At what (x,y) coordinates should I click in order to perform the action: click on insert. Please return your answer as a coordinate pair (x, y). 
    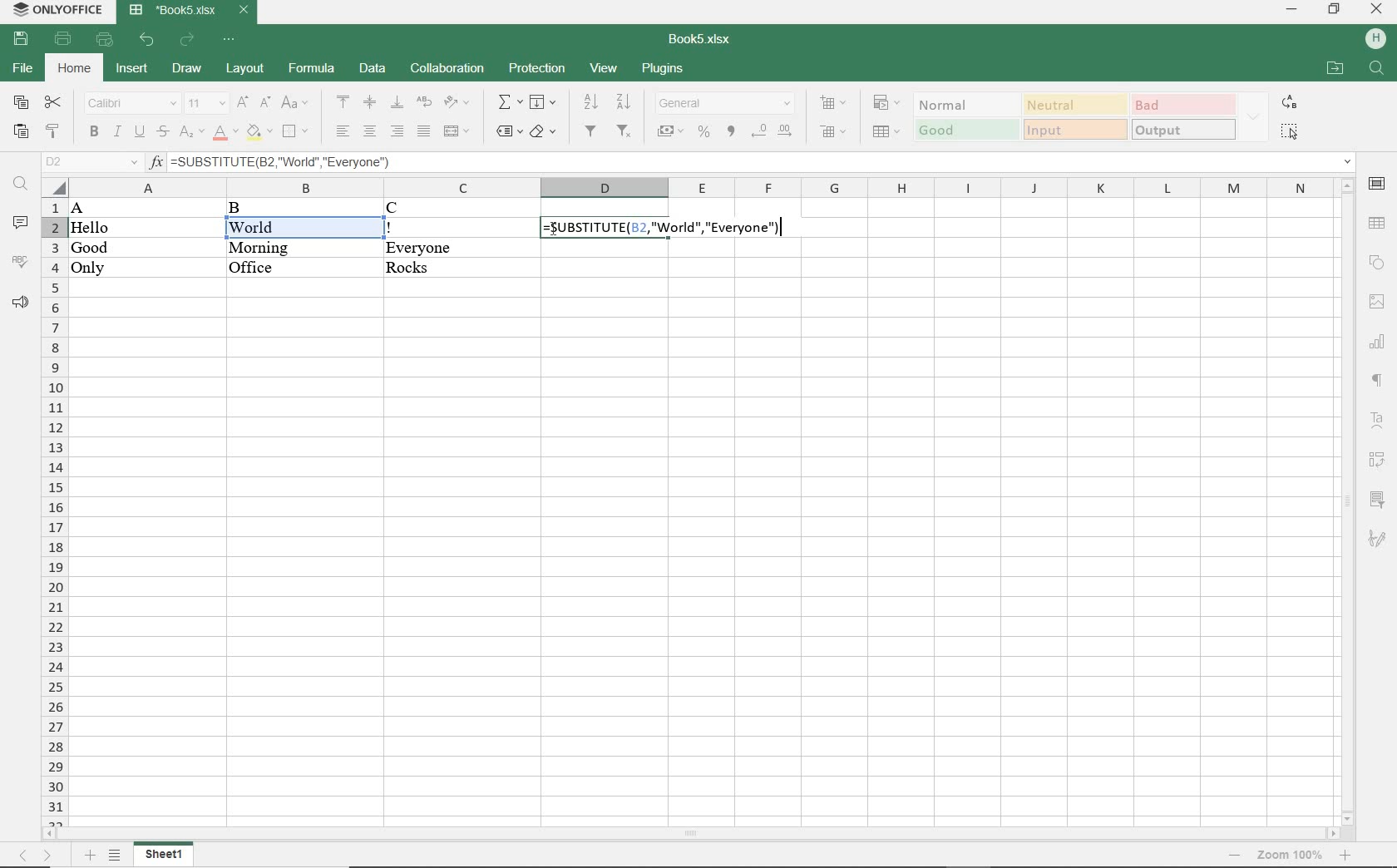
    Looking at the image, I should click on (132, 71).